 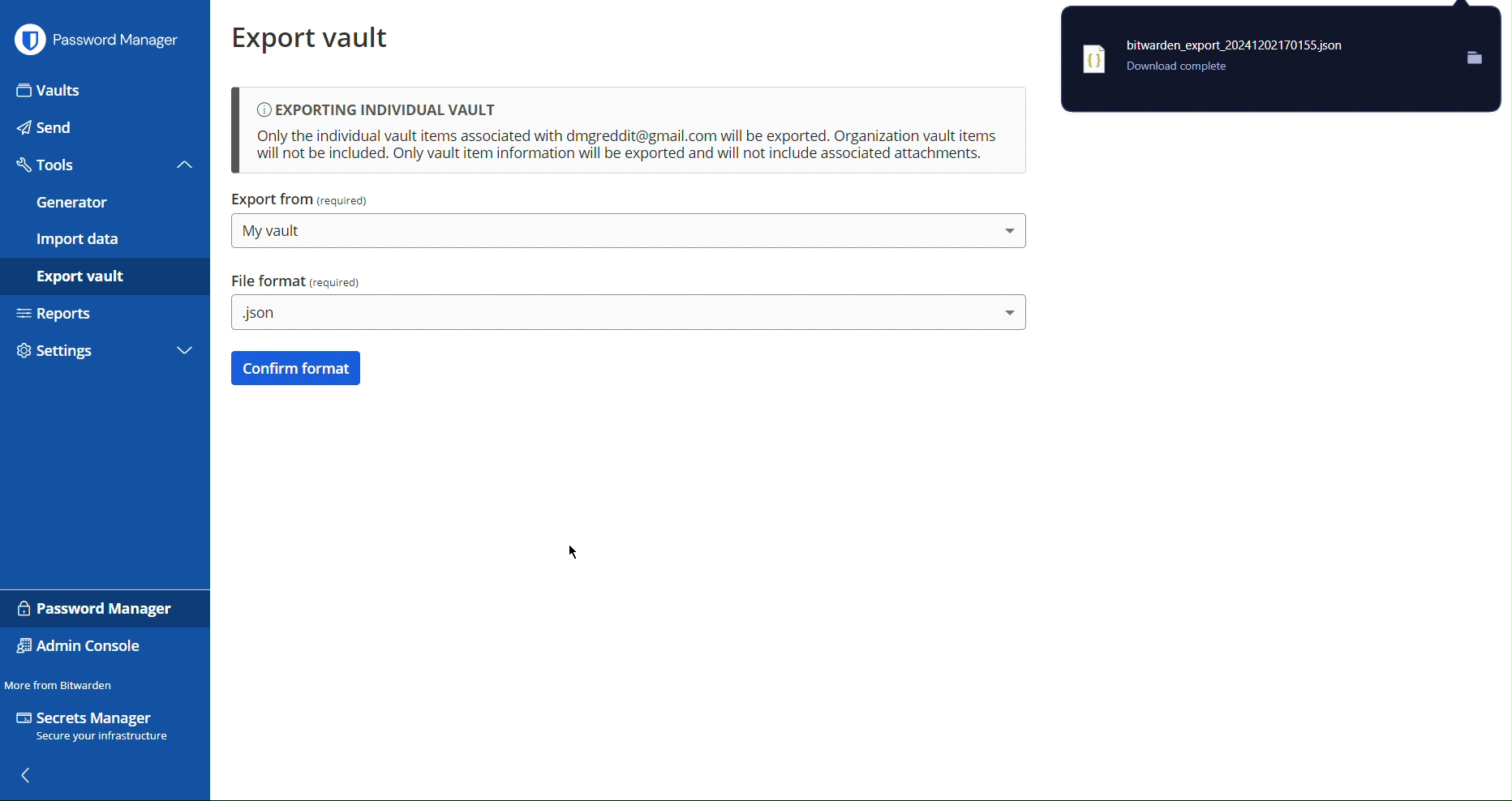 I want to click on Move from Bitwarden, so click(x=62, y=682).